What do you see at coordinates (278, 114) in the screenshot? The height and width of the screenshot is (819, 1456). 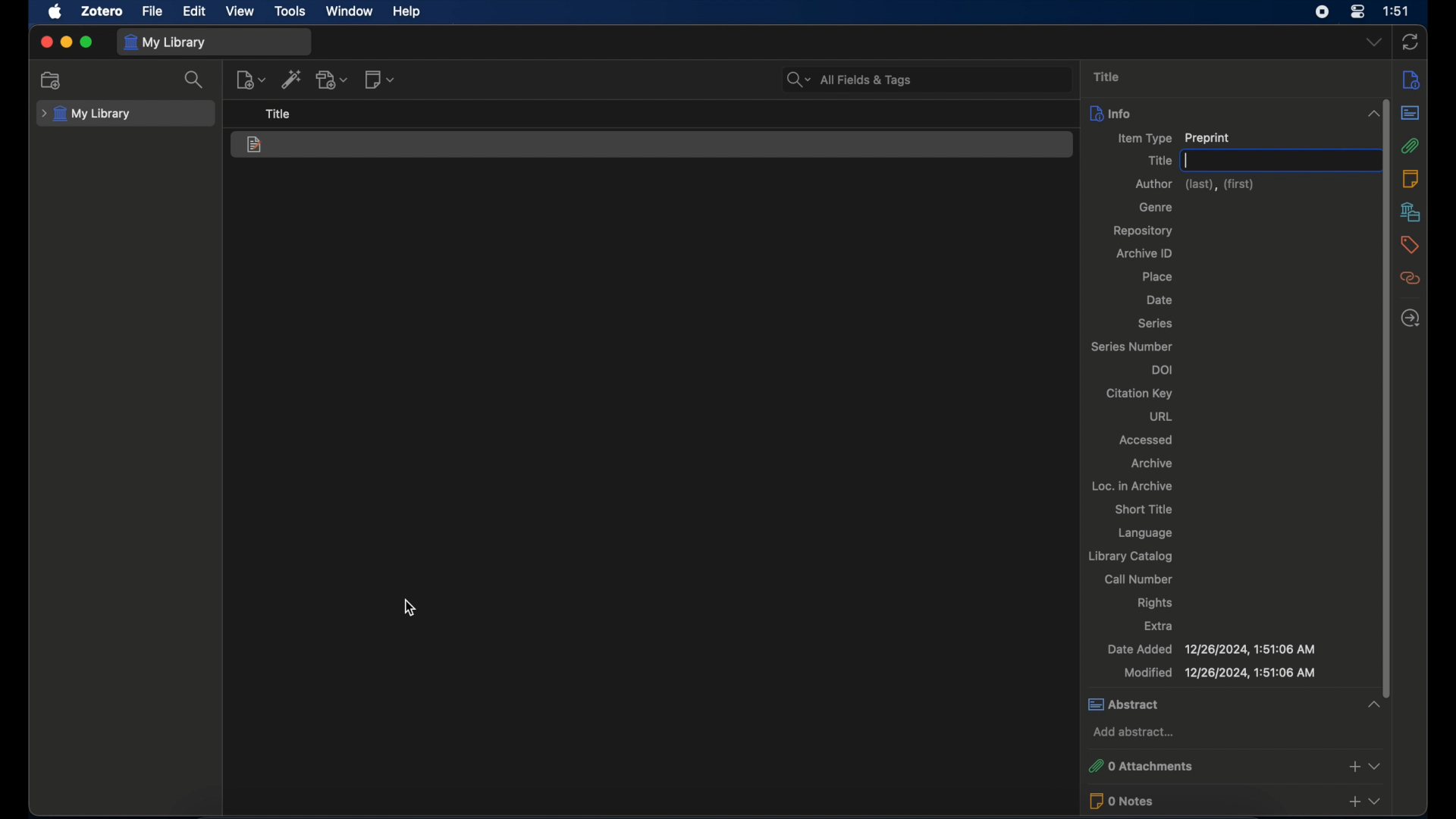 I see `title` at bounding box center [278, 114].